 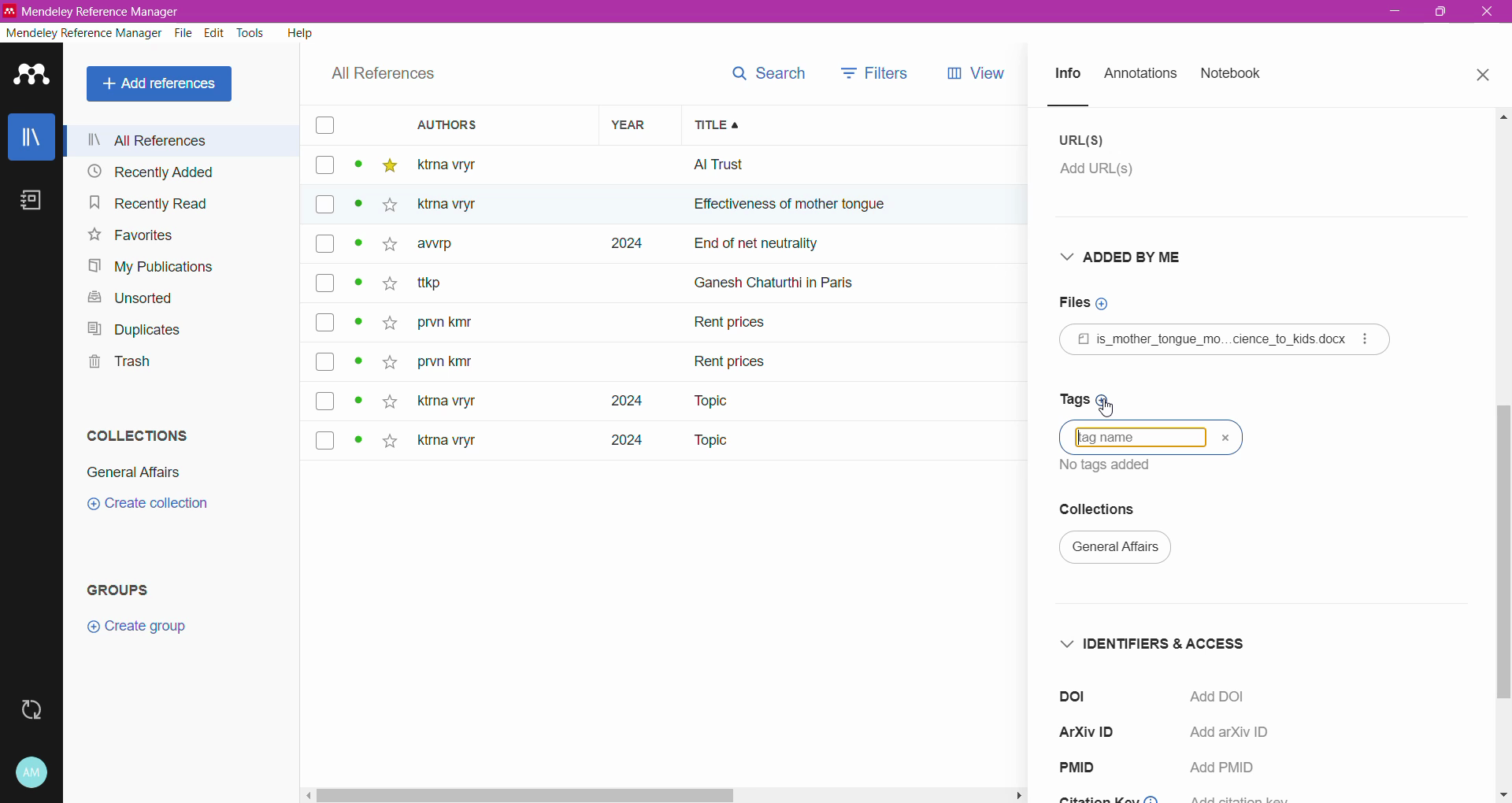 What do you see at coordinates (107, 11) in the screenshot?
I see `Application Name` at bounding box center [107, 11].